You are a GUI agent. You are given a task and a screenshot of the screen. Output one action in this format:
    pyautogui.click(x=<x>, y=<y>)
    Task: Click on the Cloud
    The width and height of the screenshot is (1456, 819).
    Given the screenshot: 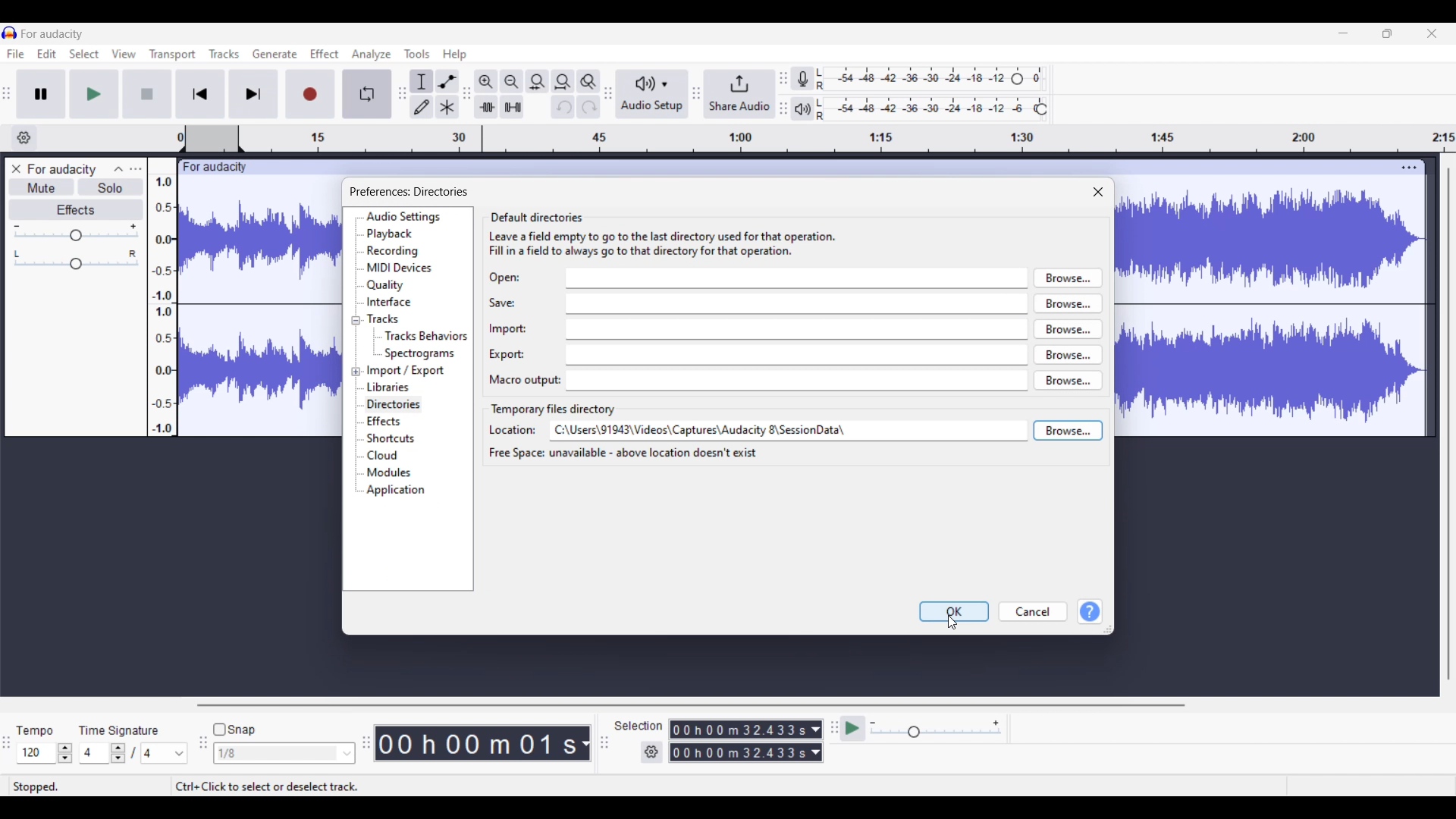 What is the action you would take?
    pyautogui.click(x=383, y=455)
    